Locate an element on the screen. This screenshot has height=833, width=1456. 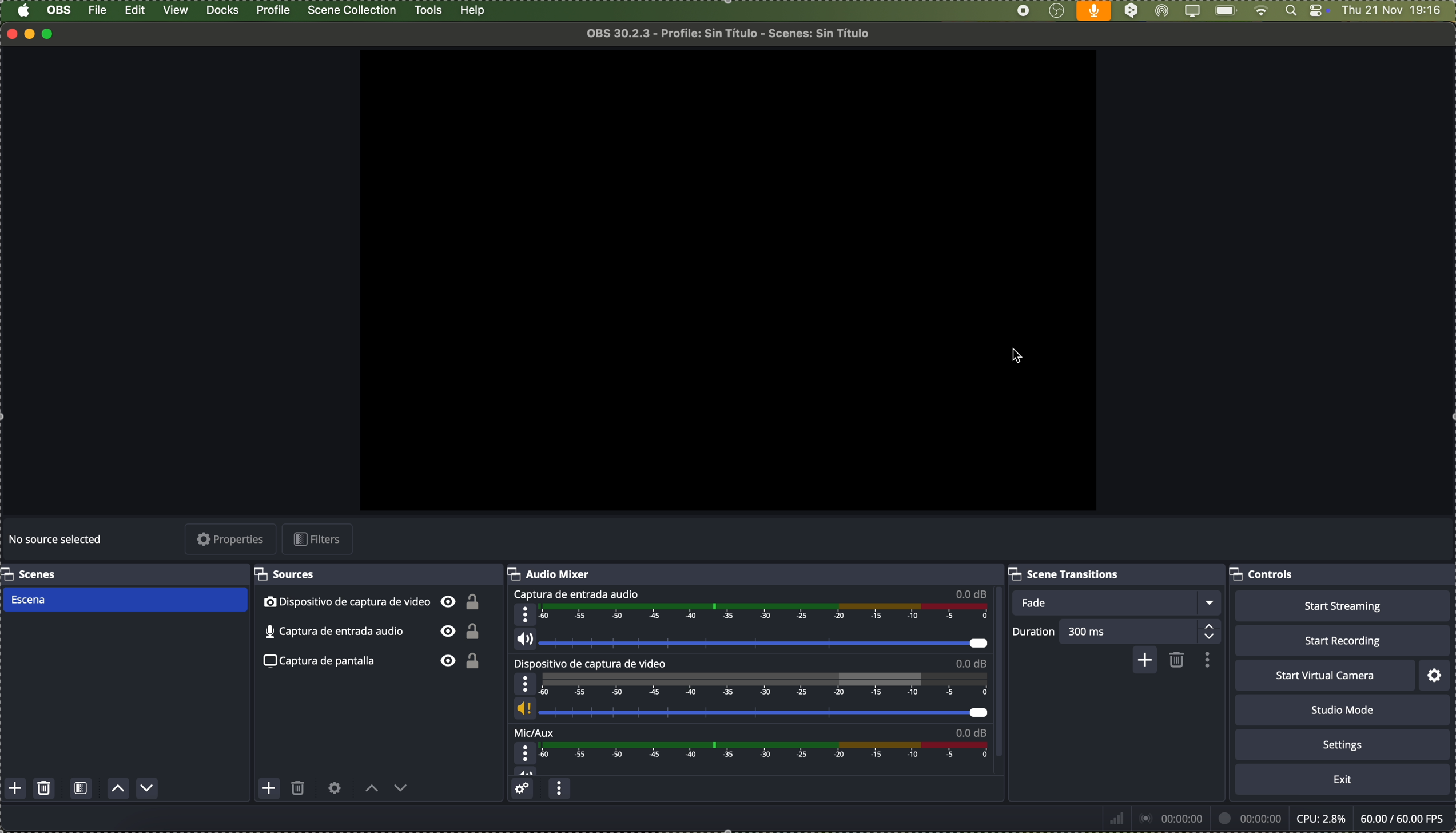
maximize program is located at coordinates (51, 34).